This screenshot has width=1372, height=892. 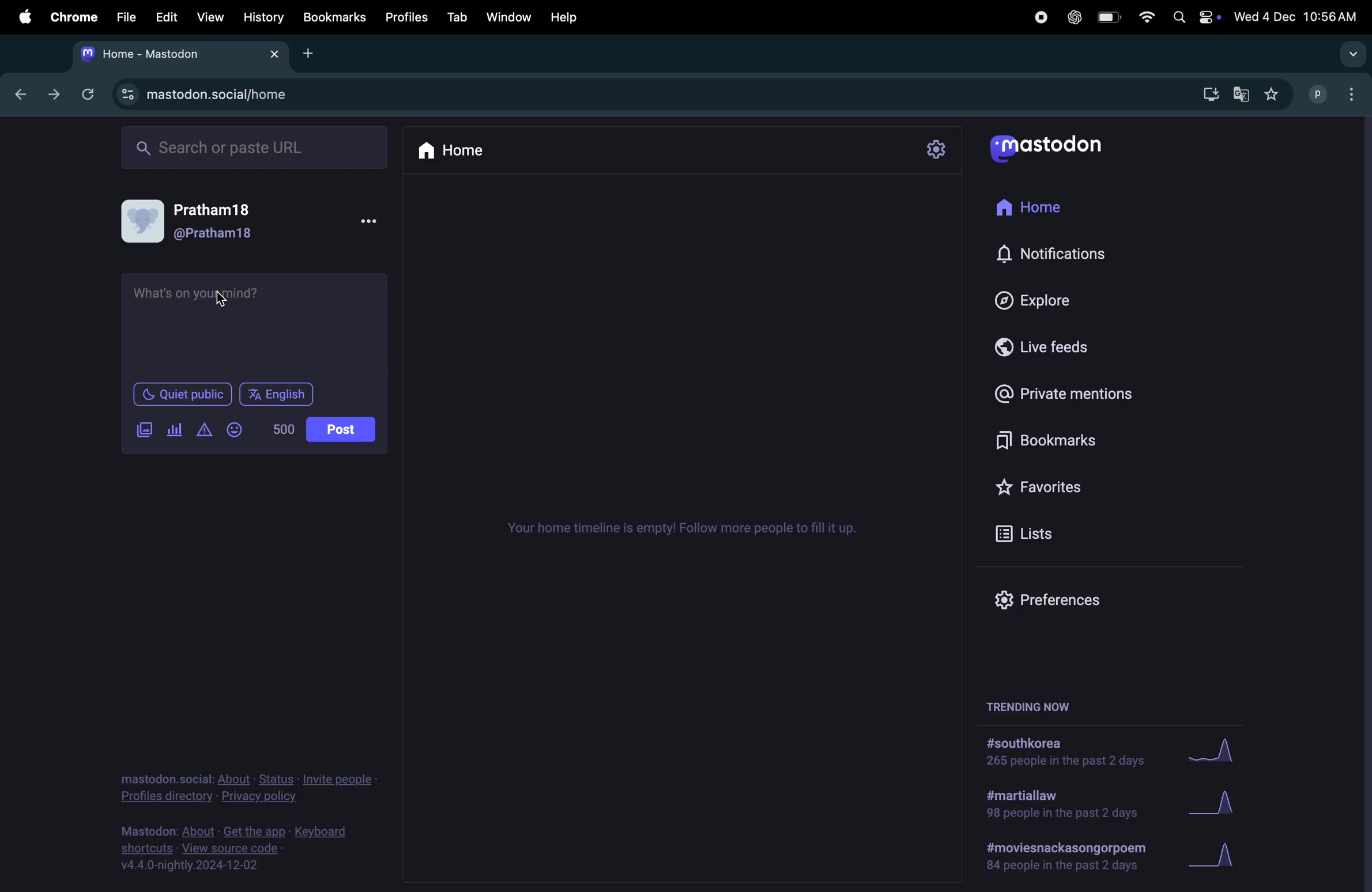 What do you see at coordinates (315, 52) in the screenshot?
I see `add tab` at bounding box center [315, 52].